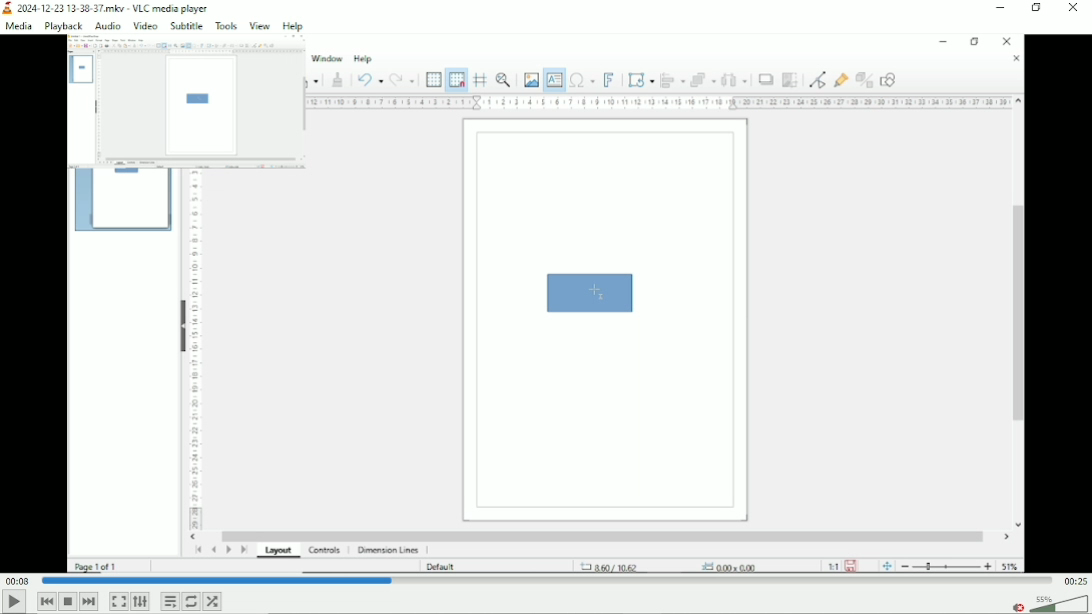 This screenshot has width=1092, height=614. What do you see at coordinates (1016, 606) in the screenshot?
I see `volume on/off` at bounding box center [1016, 606].